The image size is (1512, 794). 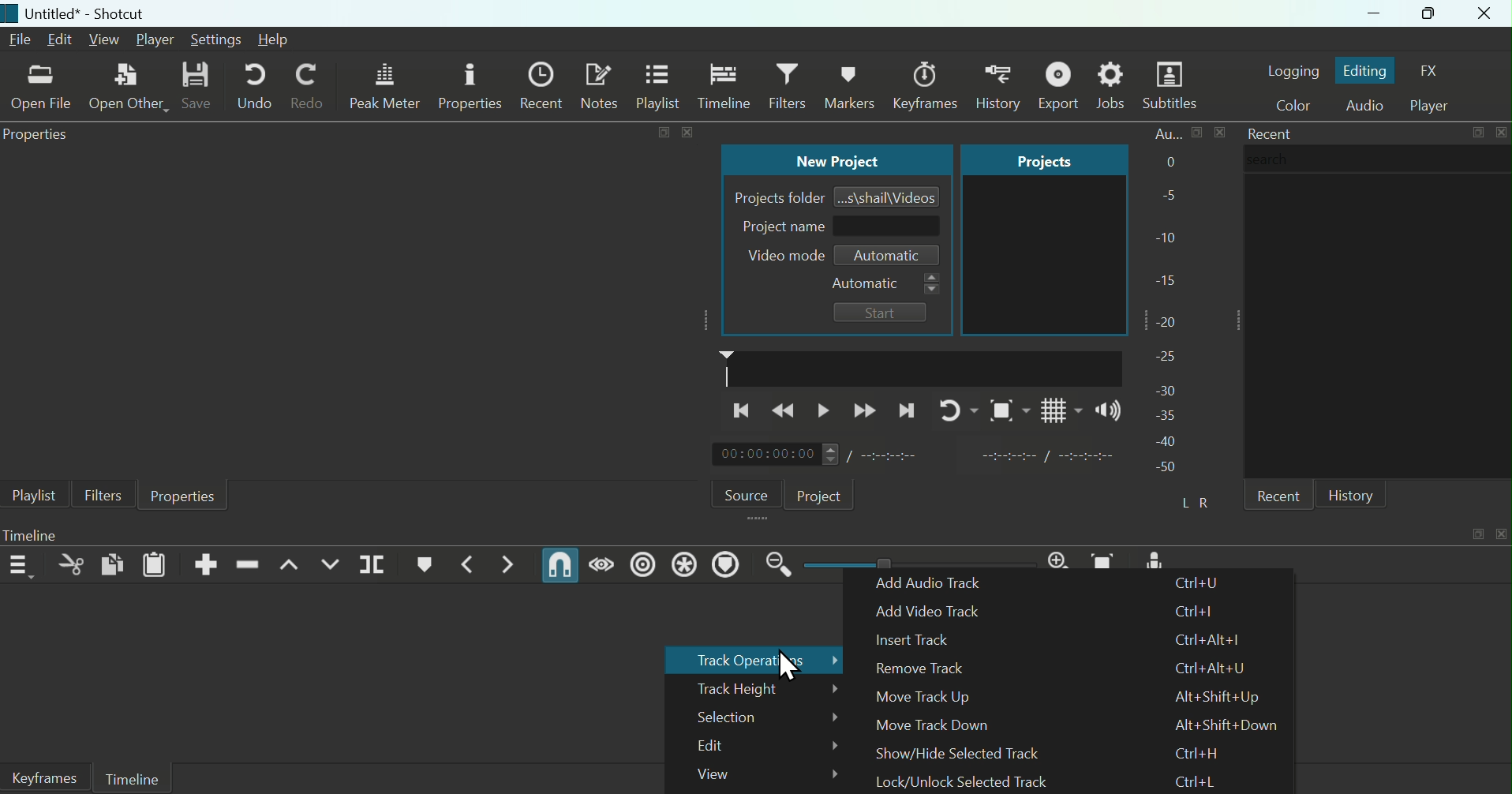 What do you see at coordinates (1166, 357) in the screenshot?
I see `-25` at bounding box center [1166, 357].